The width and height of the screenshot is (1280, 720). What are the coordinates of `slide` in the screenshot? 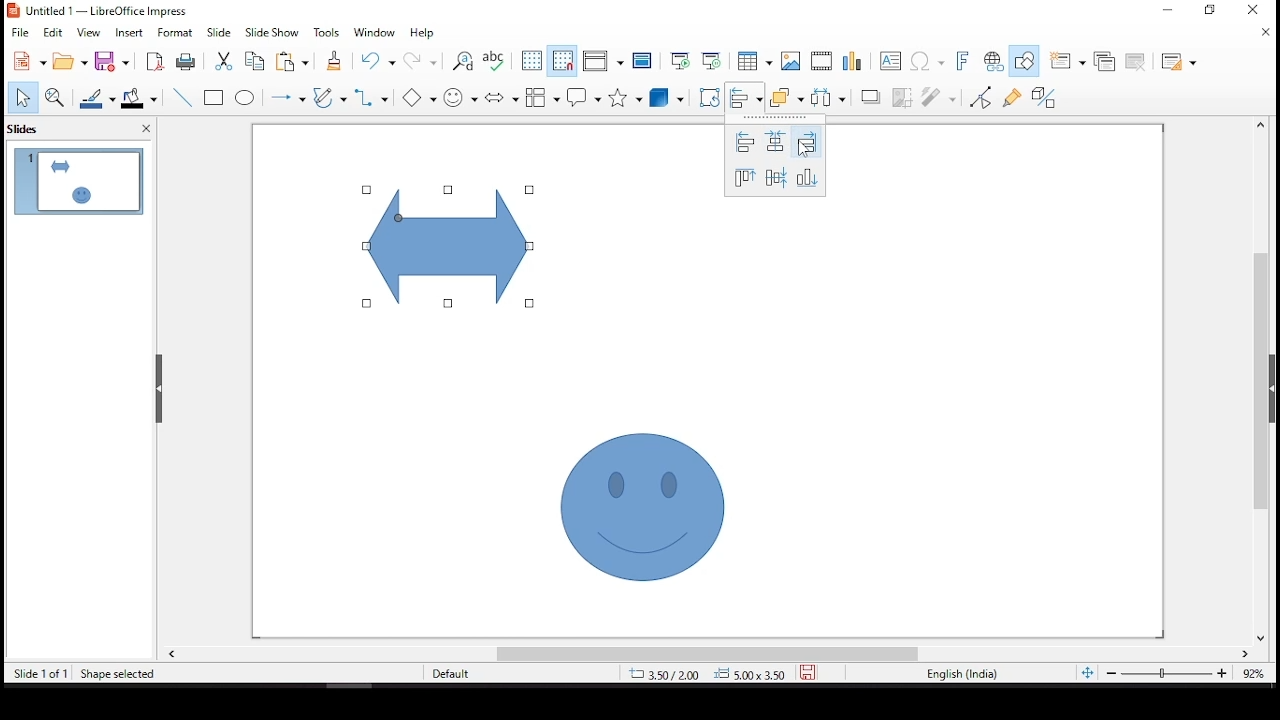 It's located at (219, 32).